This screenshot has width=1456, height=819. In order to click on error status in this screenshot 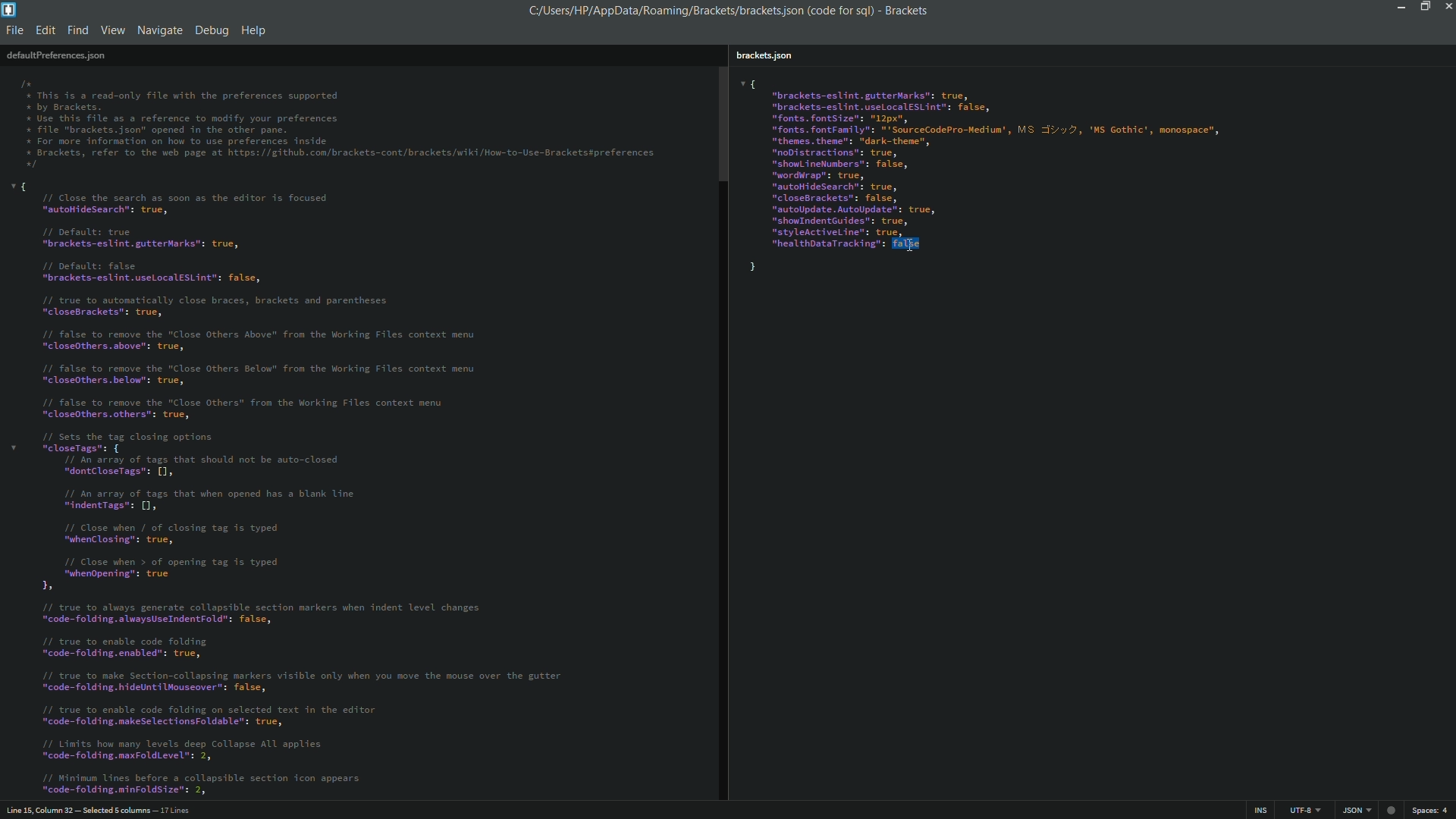, I will do `click(1390, 810)`.